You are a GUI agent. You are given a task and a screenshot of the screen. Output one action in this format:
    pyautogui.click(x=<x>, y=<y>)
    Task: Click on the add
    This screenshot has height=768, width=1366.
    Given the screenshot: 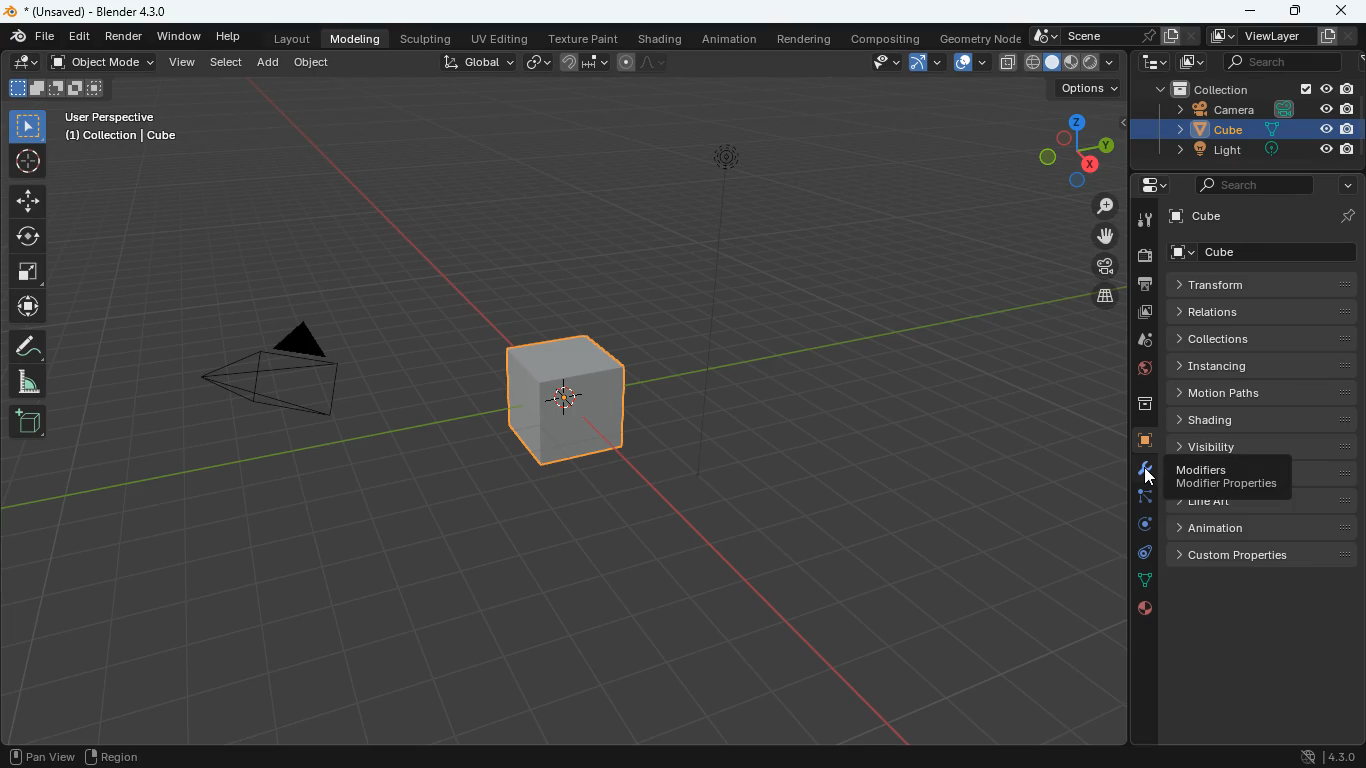 What is the action you would take?
    pyautogui.click(x=269, y=63)
    